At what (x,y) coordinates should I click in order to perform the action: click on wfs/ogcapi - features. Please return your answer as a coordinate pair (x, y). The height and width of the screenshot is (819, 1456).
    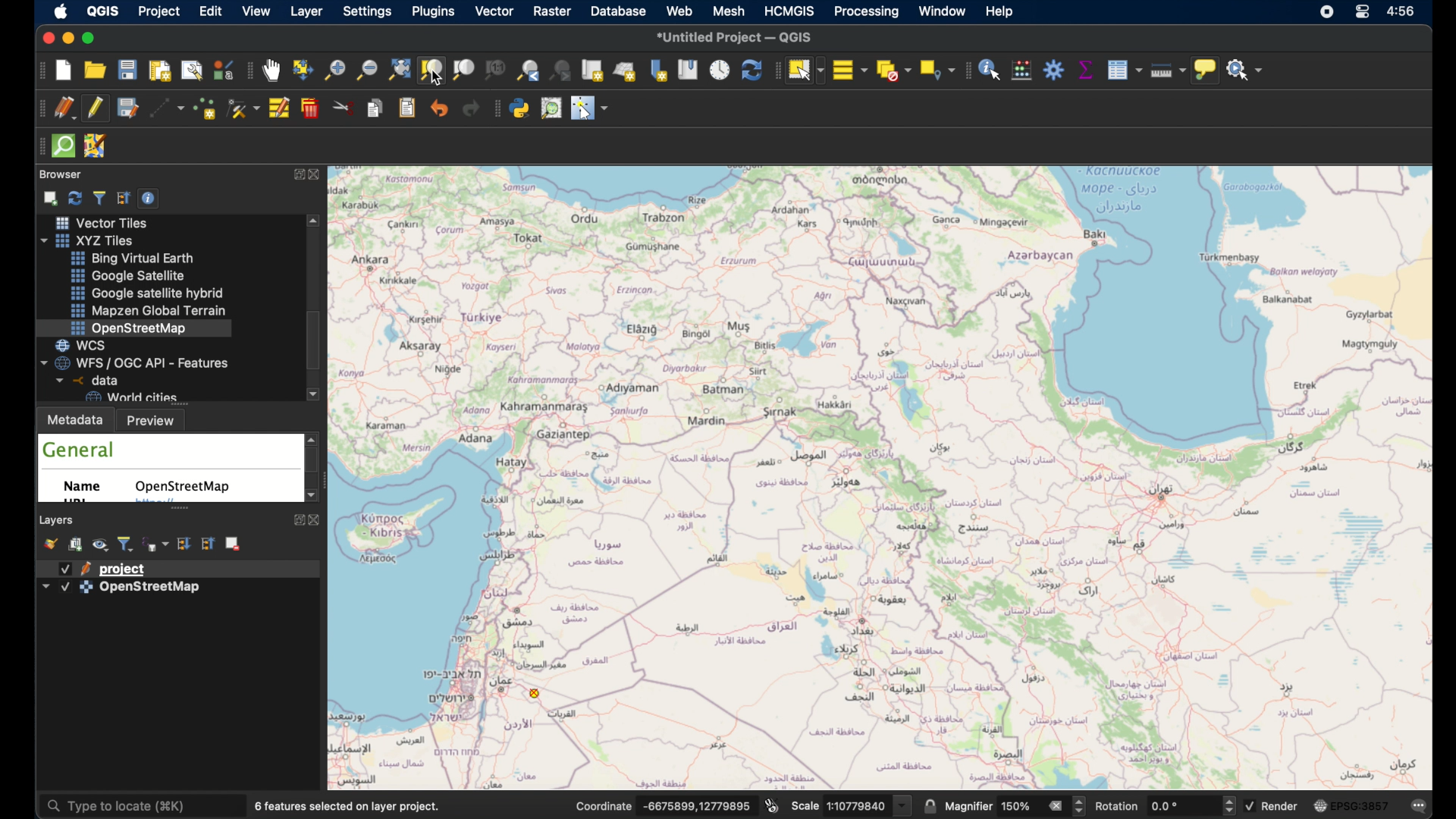
    Looking at the image, I should click on (136, 362).